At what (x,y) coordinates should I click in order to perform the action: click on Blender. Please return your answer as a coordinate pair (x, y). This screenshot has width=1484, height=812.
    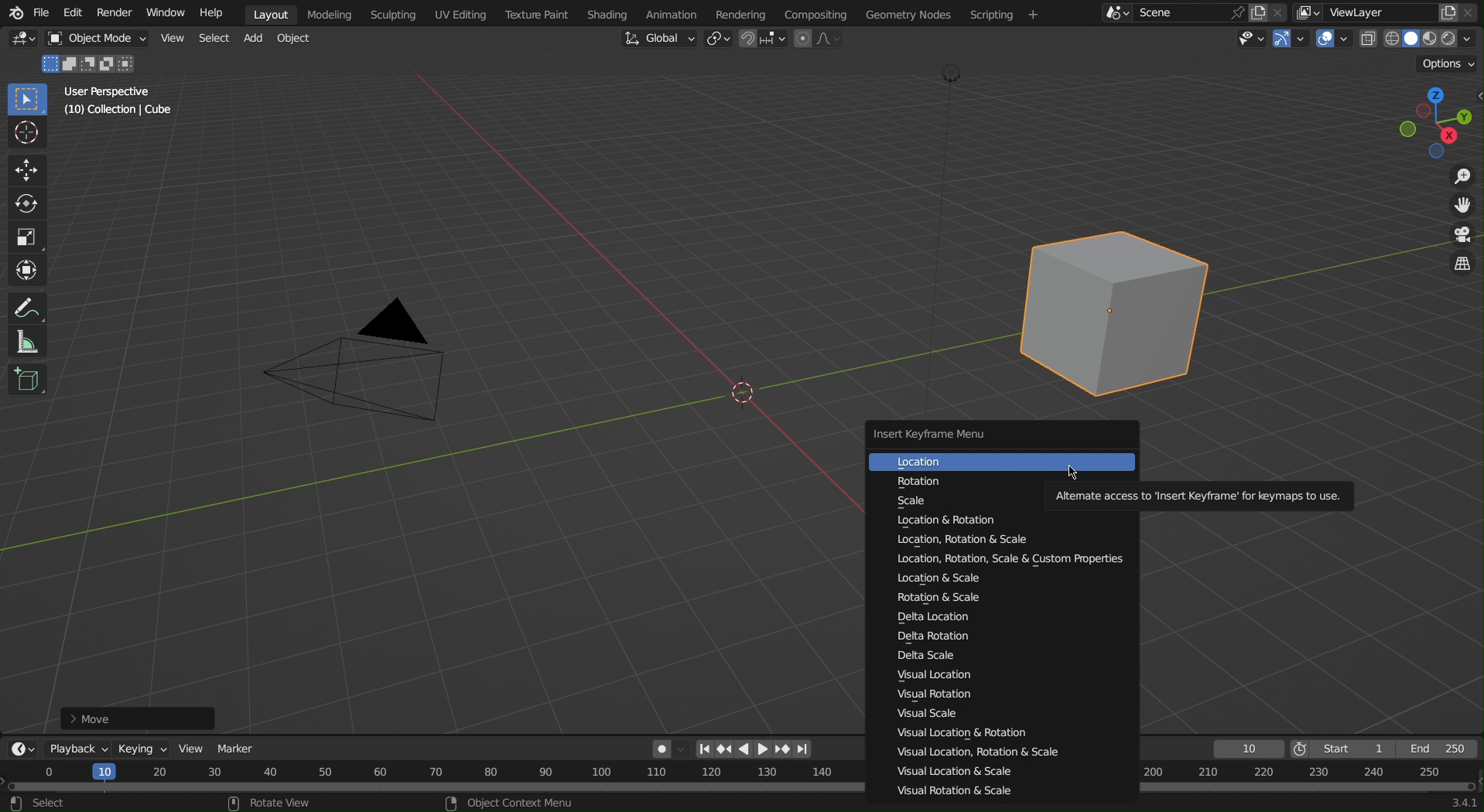
    Looking at the image, I should click on (13, 12).